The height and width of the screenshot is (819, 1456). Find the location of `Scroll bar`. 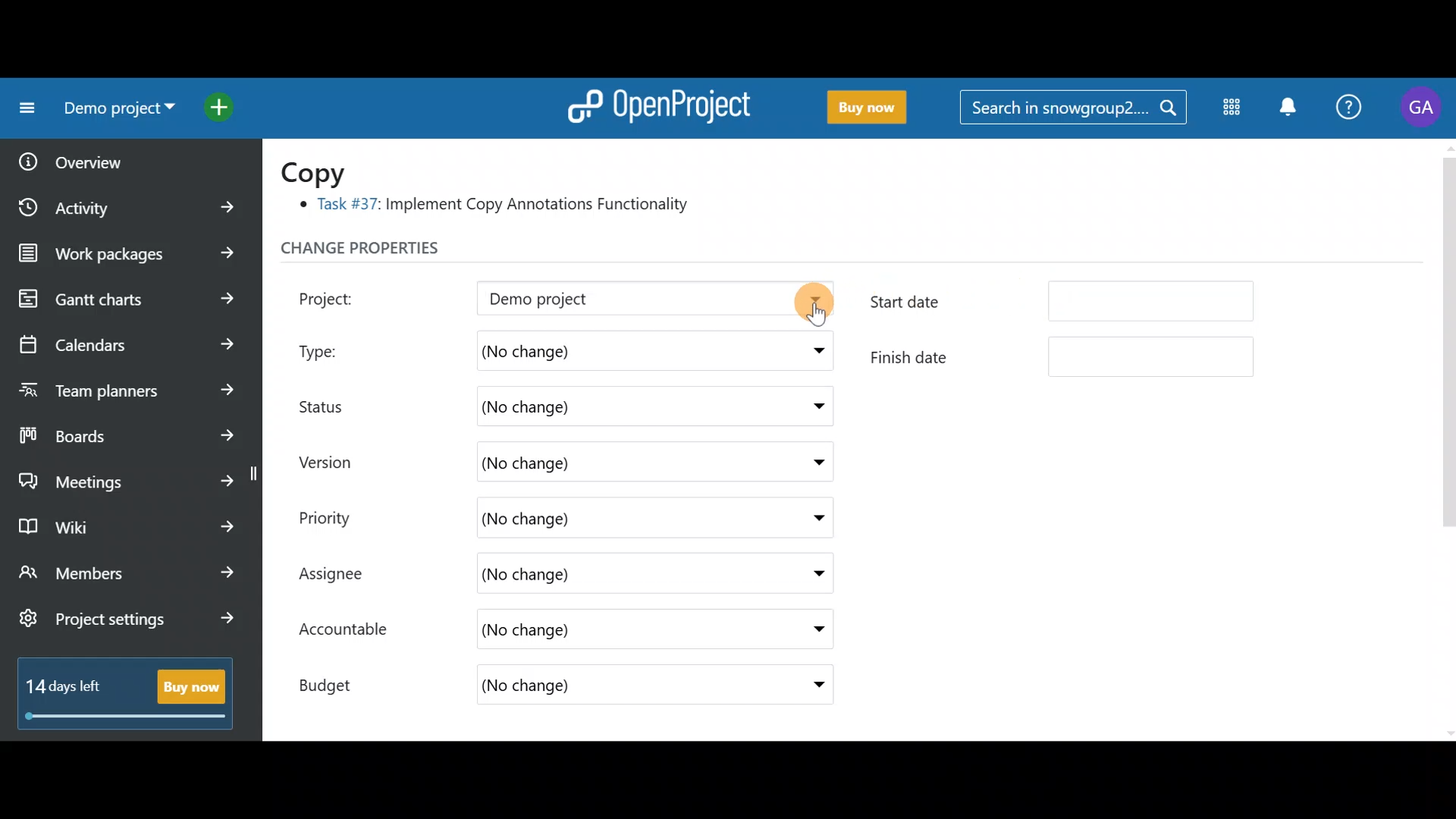

Scroll bar is located at coordinates (1447, 441).